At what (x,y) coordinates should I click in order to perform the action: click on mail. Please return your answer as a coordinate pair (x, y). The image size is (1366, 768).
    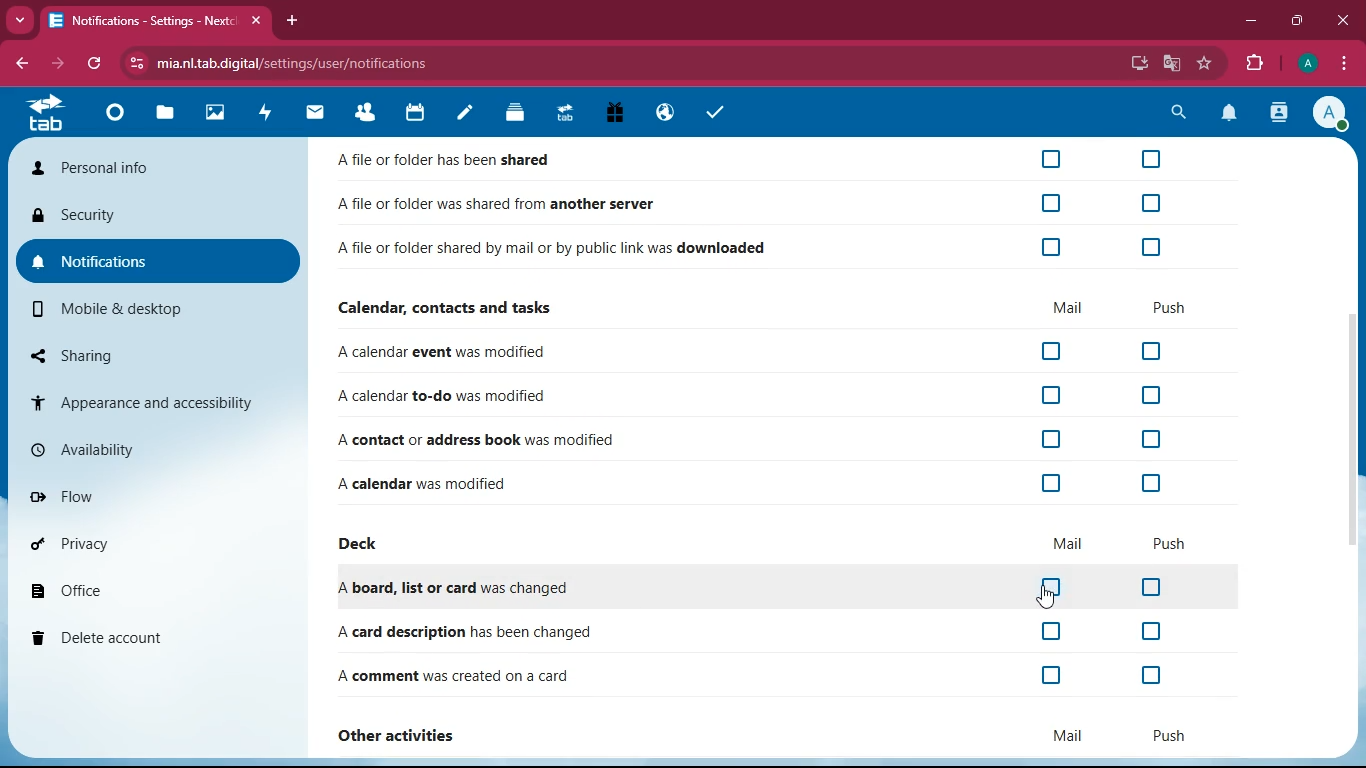
    Looking at the image, I should click on (1070, 302).